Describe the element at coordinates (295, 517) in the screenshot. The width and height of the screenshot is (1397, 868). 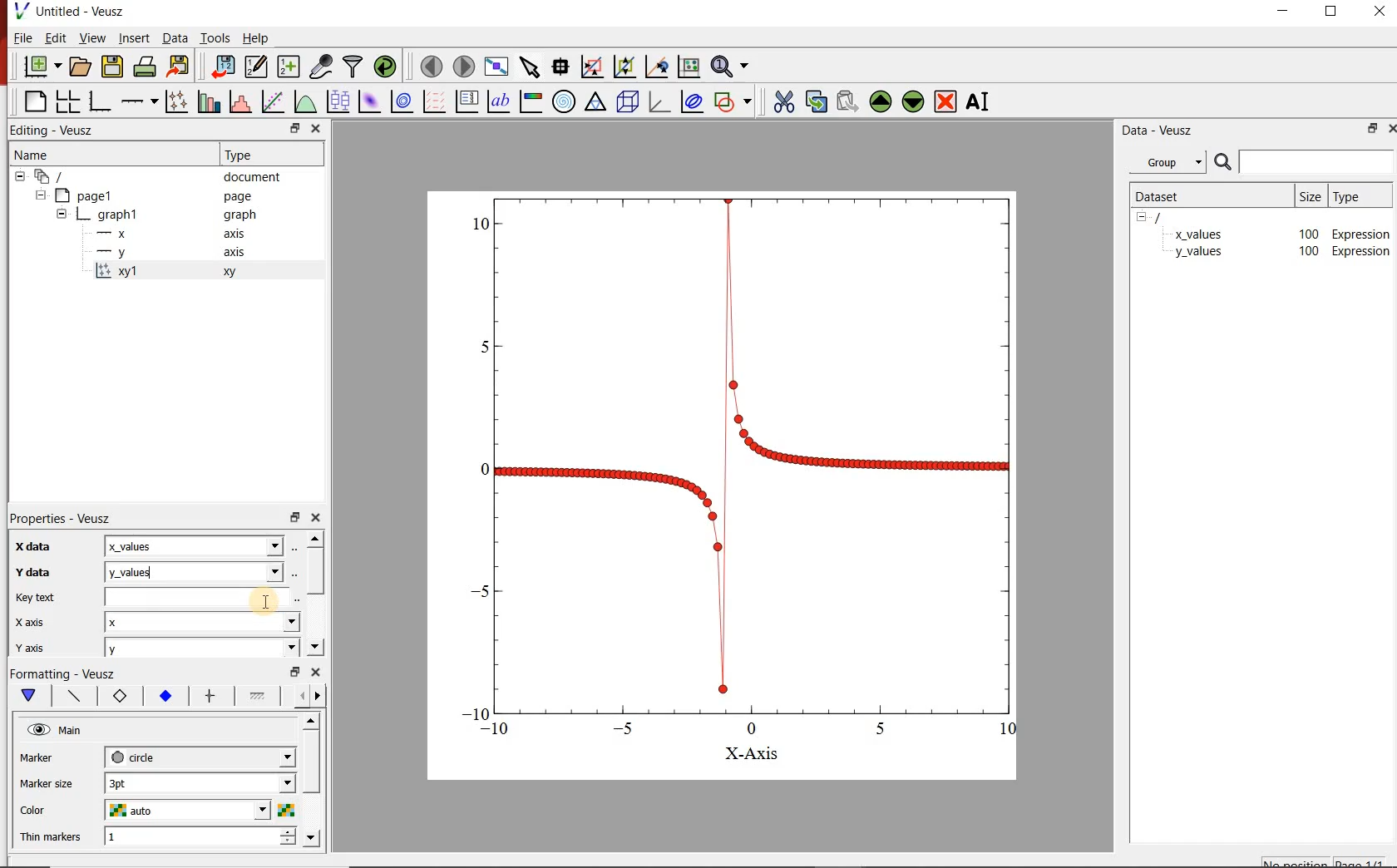
I see `restore down` at that location.